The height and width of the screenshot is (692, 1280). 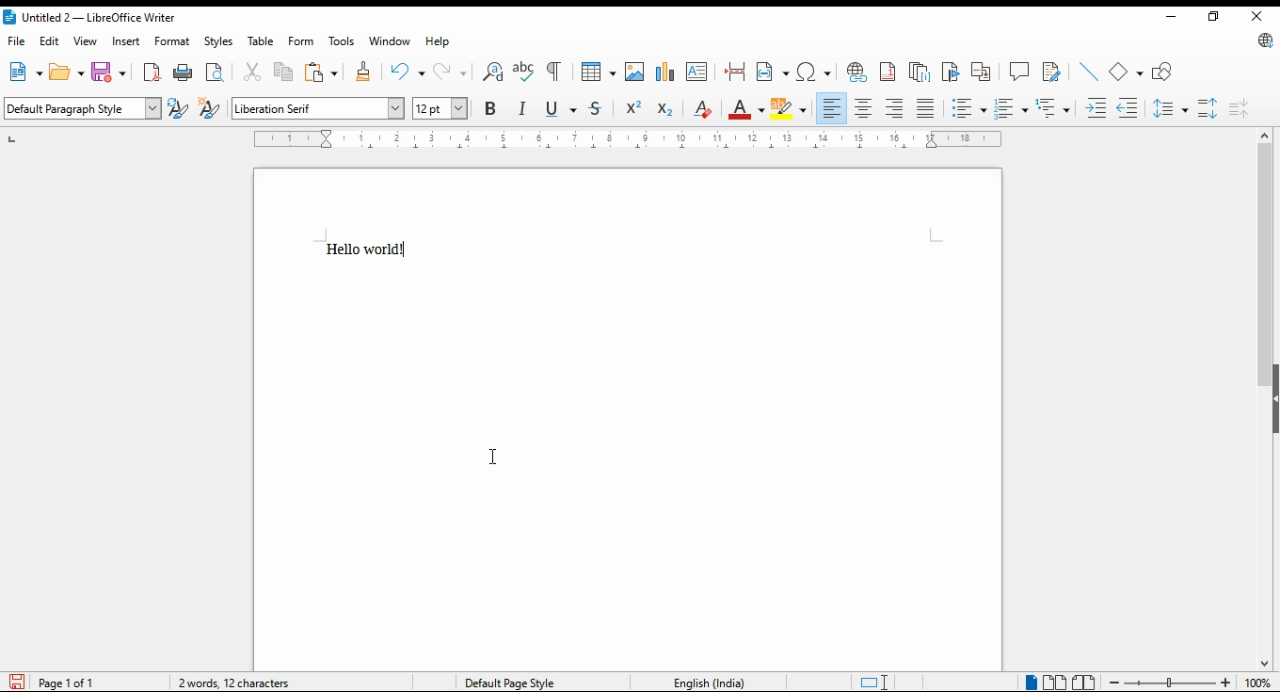 I want to click on standard selection. click to change selection mode, so click(x=867, y=681).